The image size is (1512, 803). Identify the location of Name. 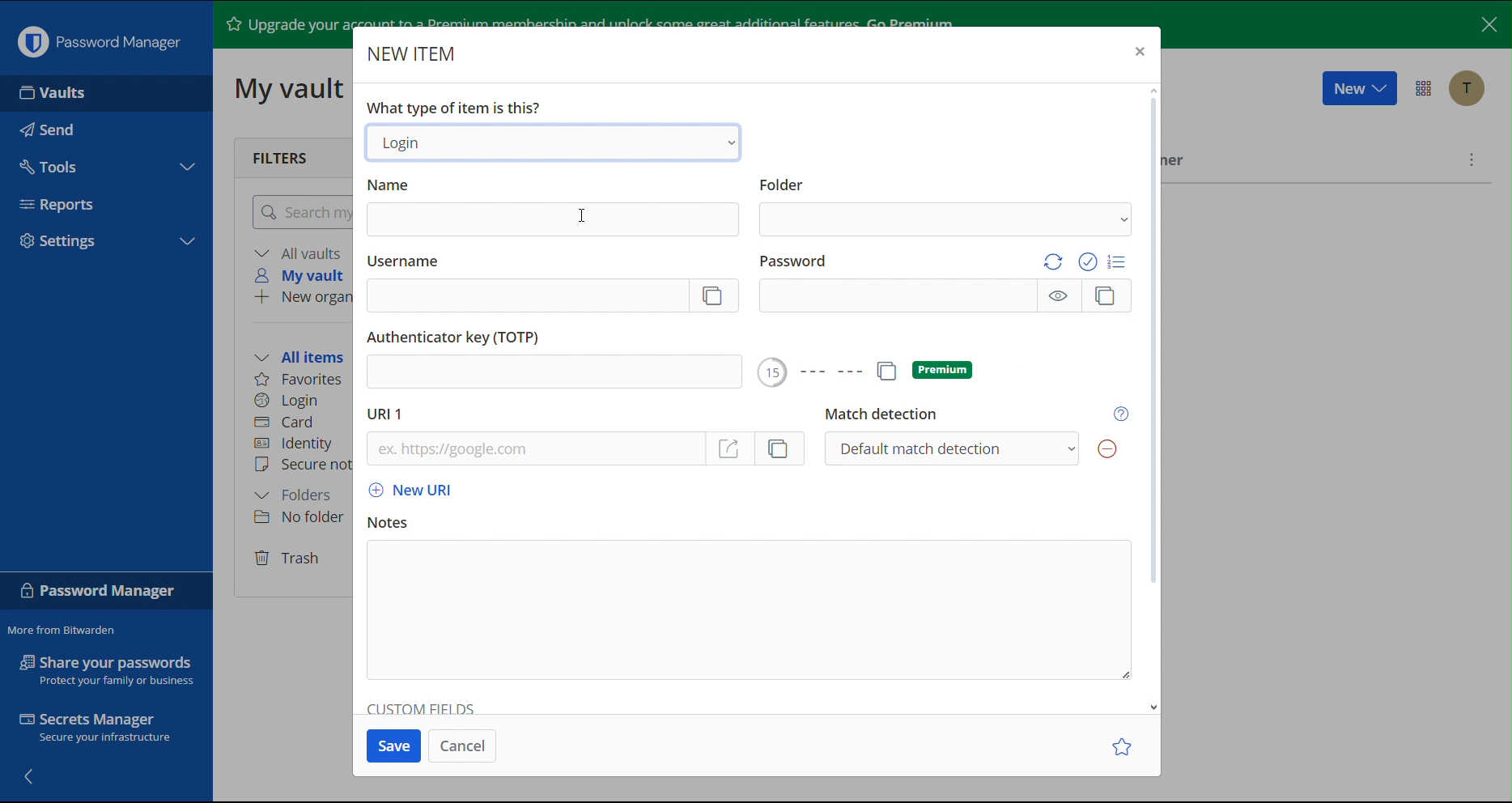
(554, 206).